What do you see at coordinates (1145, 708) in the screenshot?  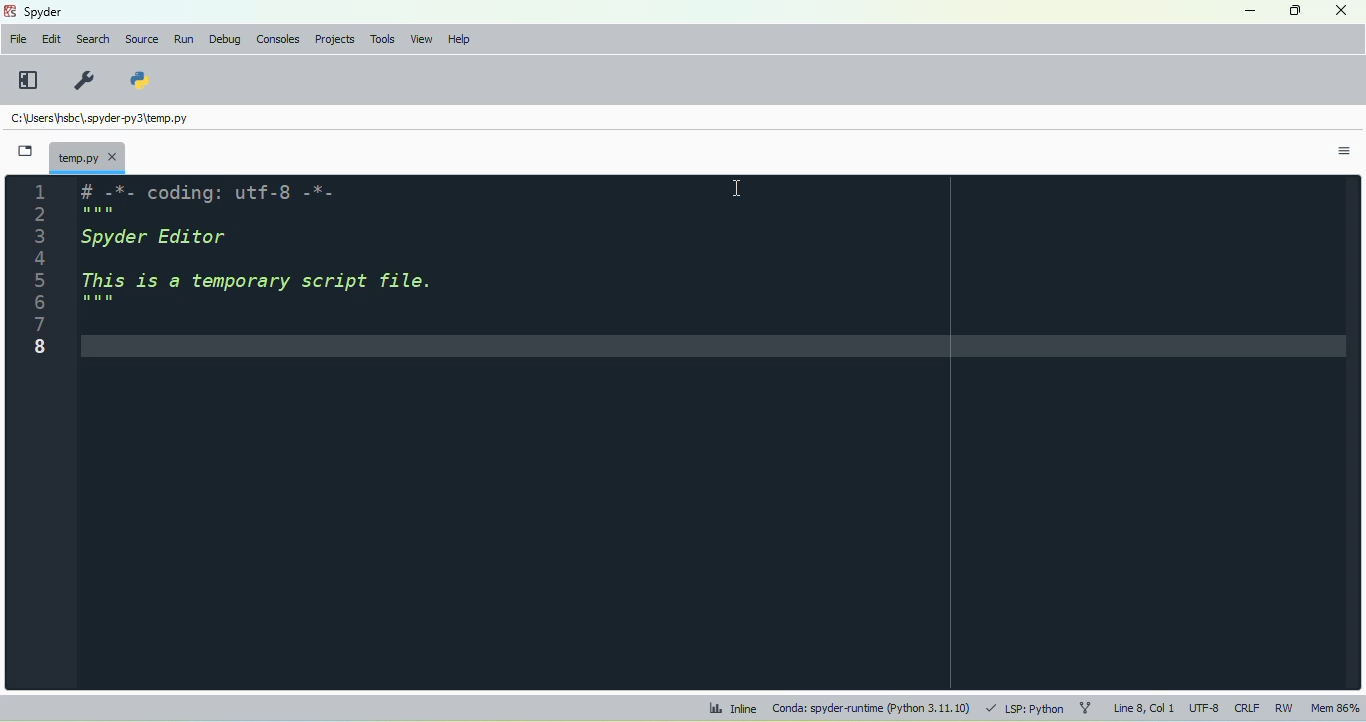 I see `line 8, col 1` at bounding box center [1145, 708].